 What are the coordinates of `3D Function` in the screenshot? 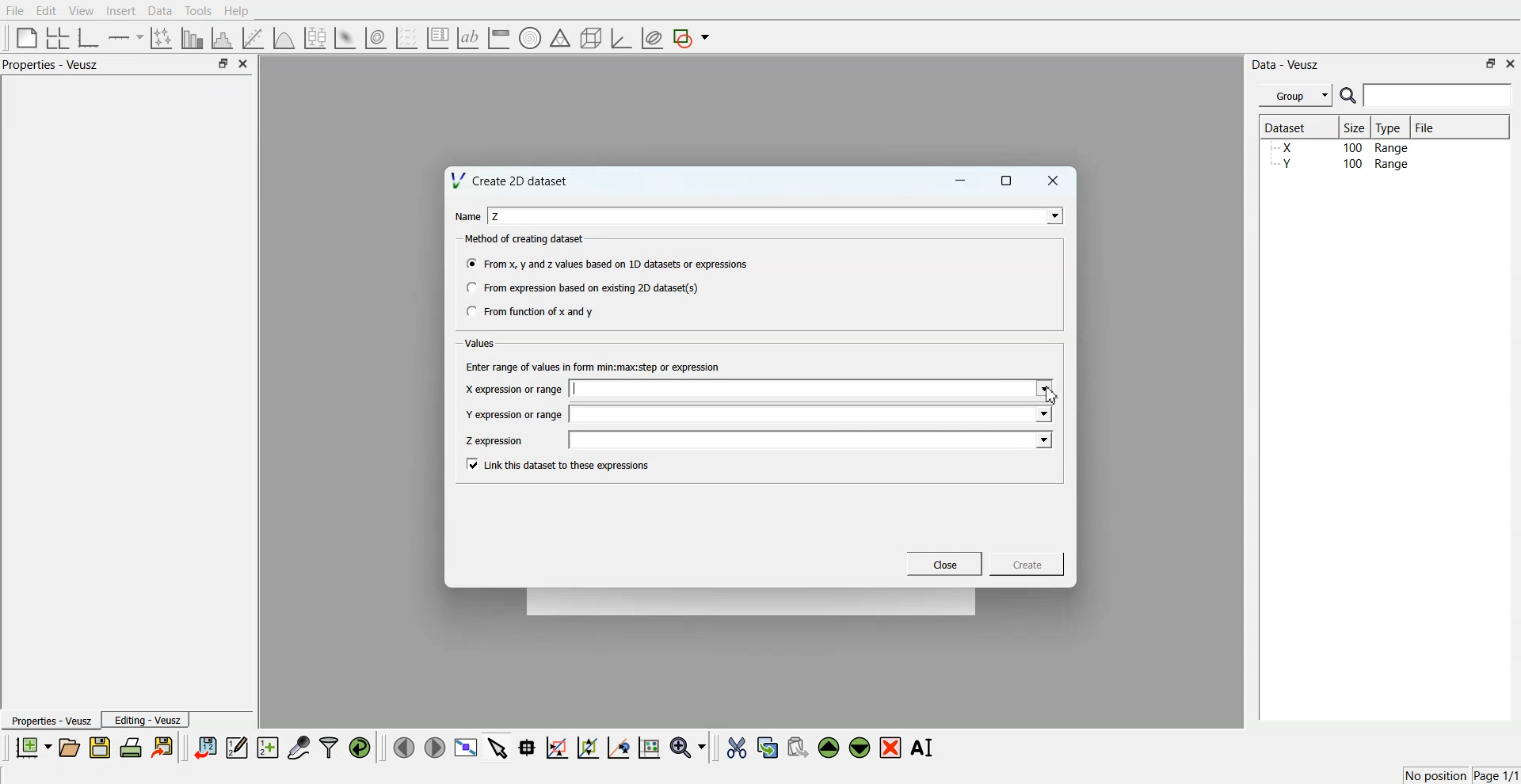 It's located at (284, 38).